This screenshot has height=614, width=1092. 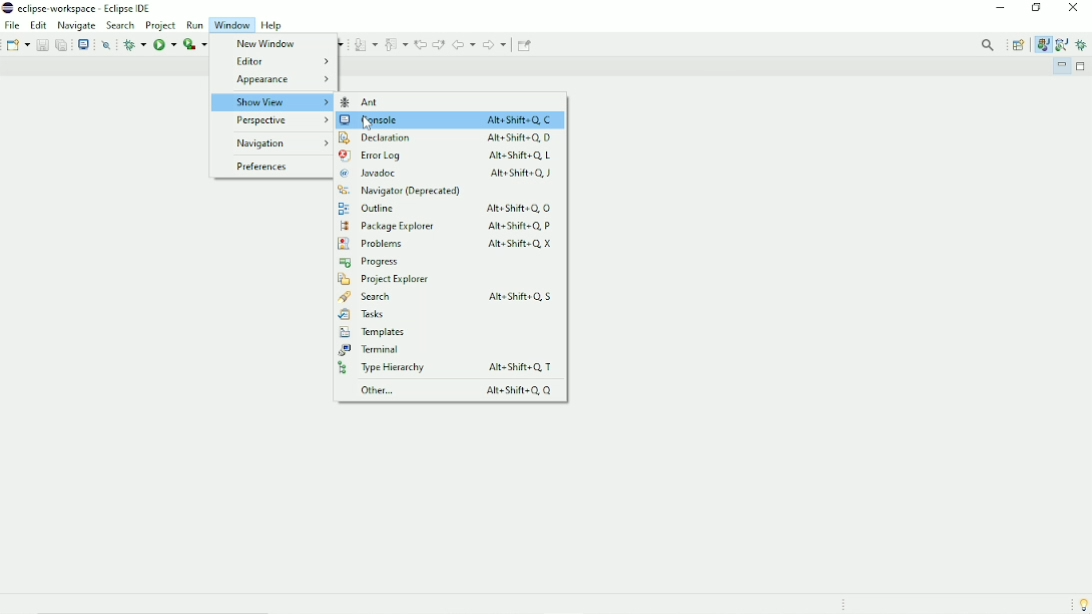 I want to click on Project, so click(x=161, y=25).